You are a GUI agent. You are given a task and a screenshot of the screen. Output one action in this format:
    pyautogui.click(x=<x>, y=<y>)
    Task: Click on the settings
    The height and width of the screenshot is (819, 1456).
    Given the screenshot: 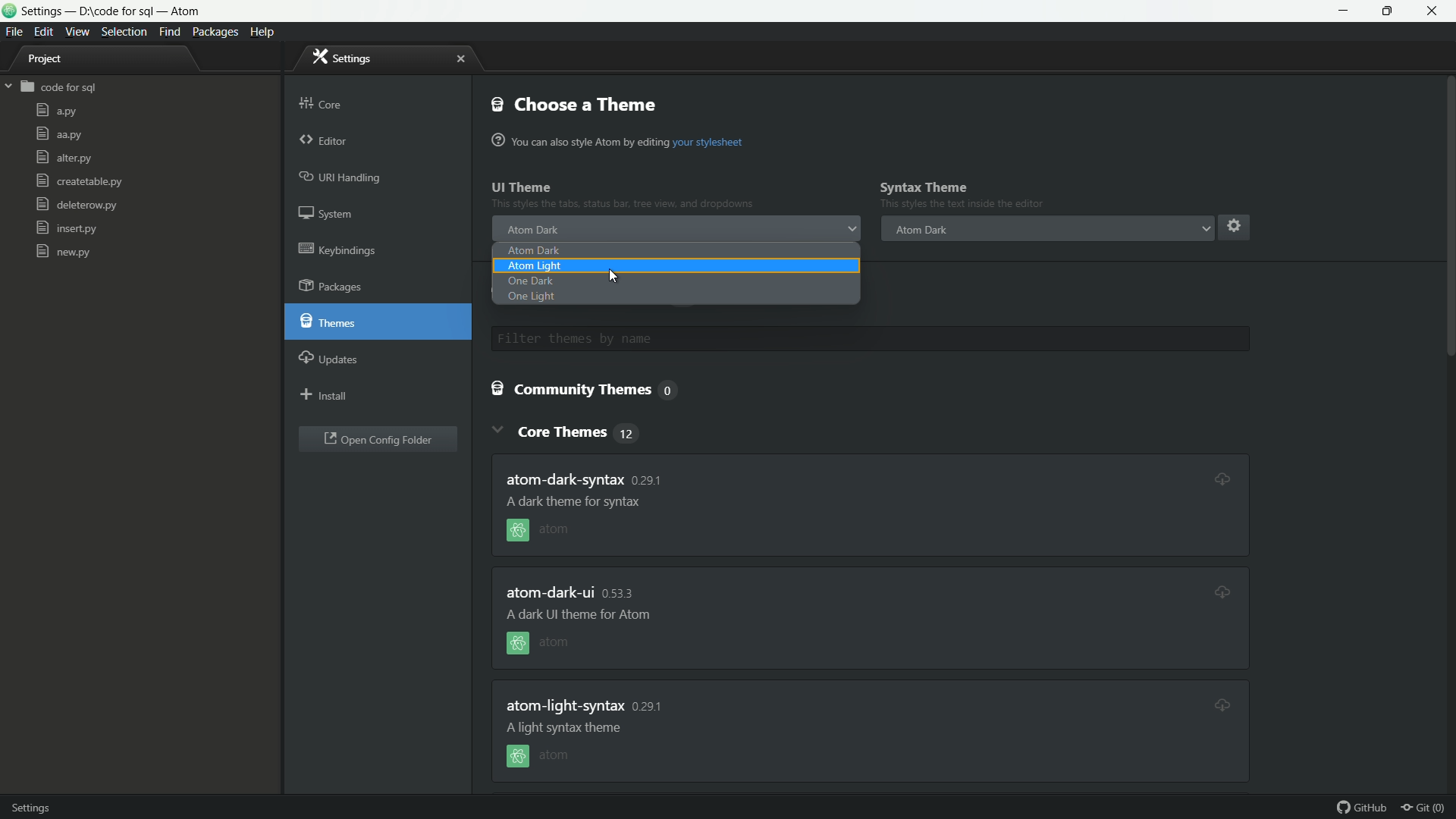 What is the action you would take?
    pyautogui.click(x=44, y=805)
    